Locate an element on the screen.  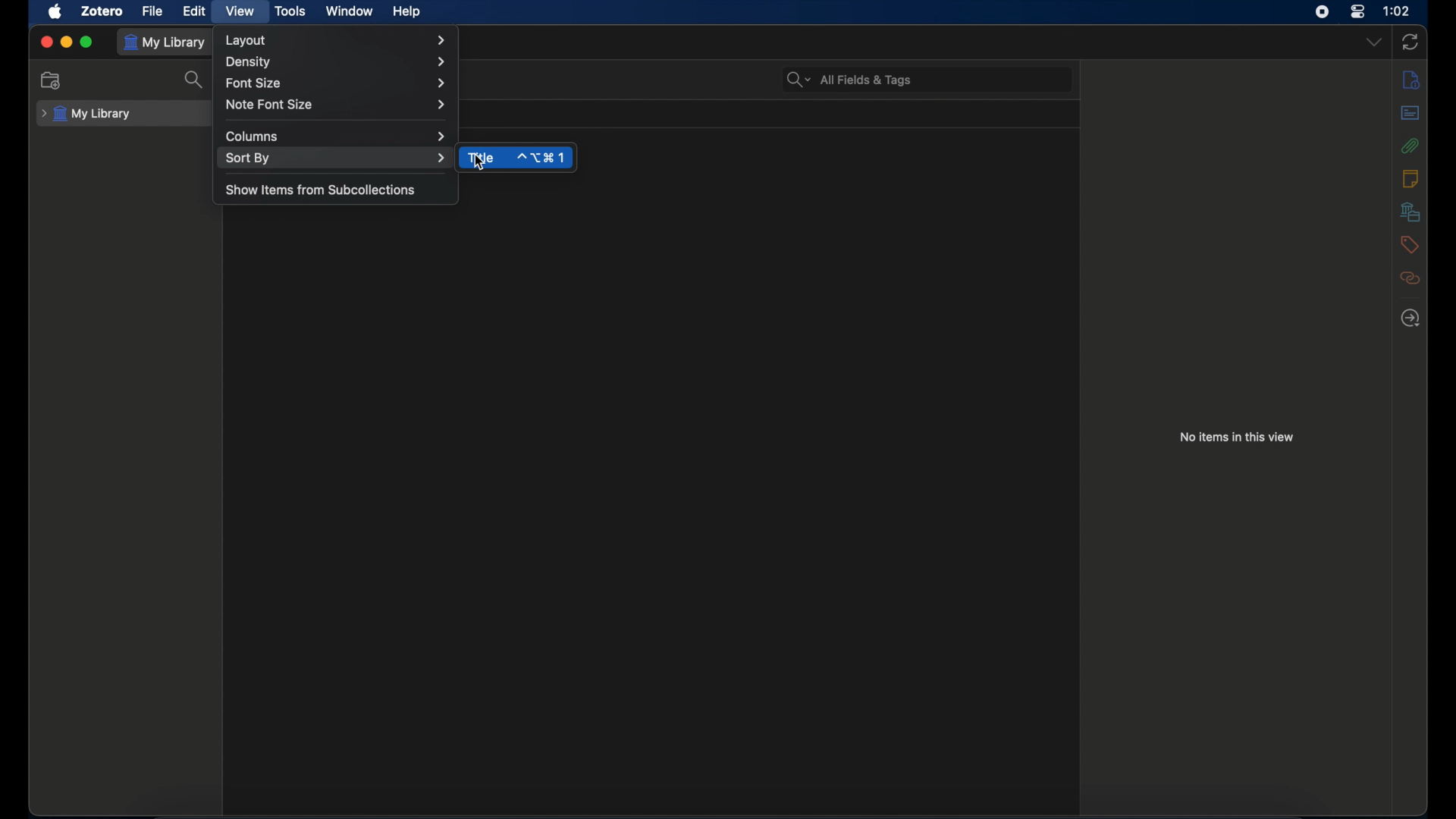
my library is located at coordinates (165, 43).